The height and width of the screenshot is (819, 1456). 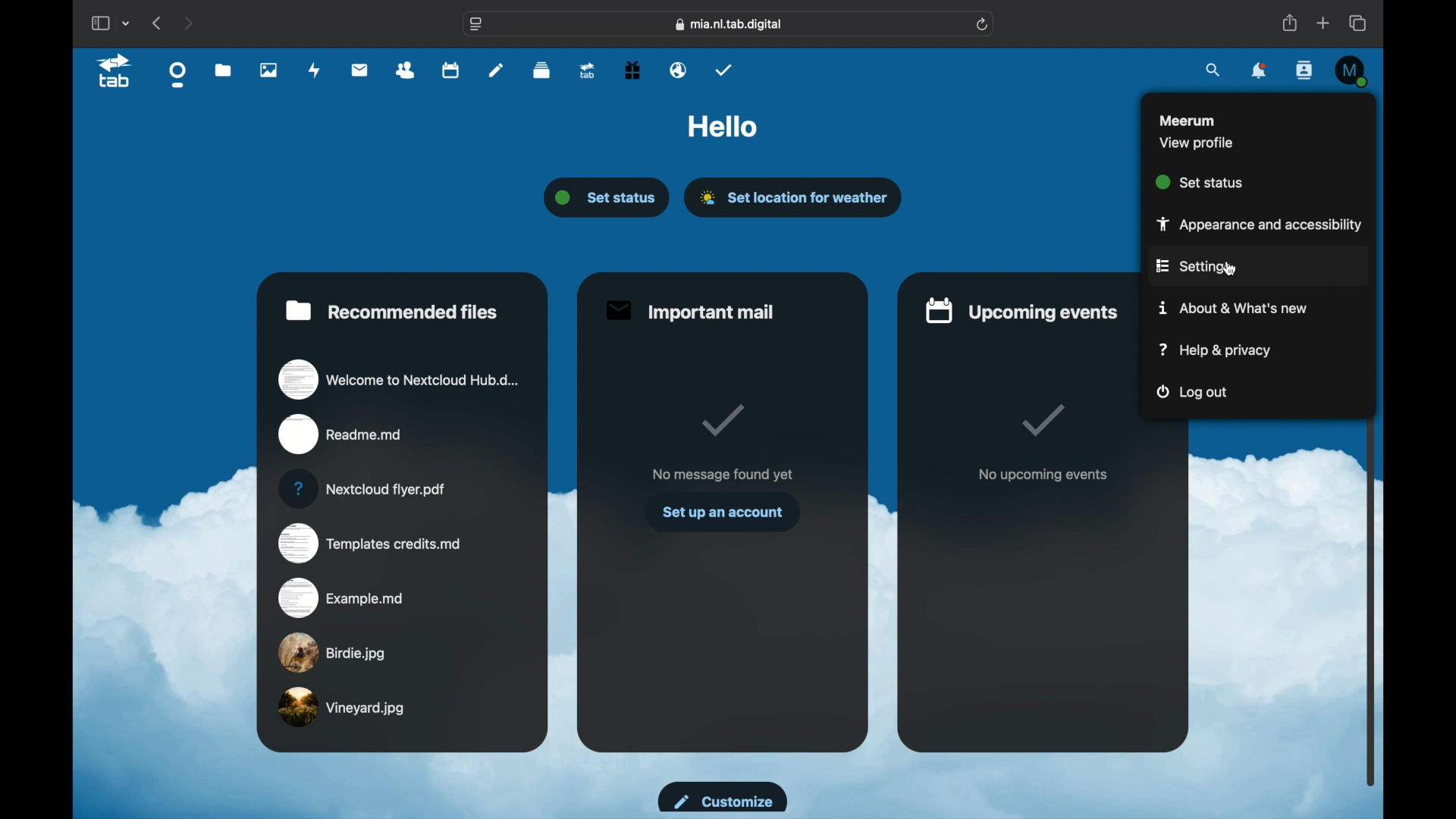 I want to click on upgrade, so click(x=586, y=71).